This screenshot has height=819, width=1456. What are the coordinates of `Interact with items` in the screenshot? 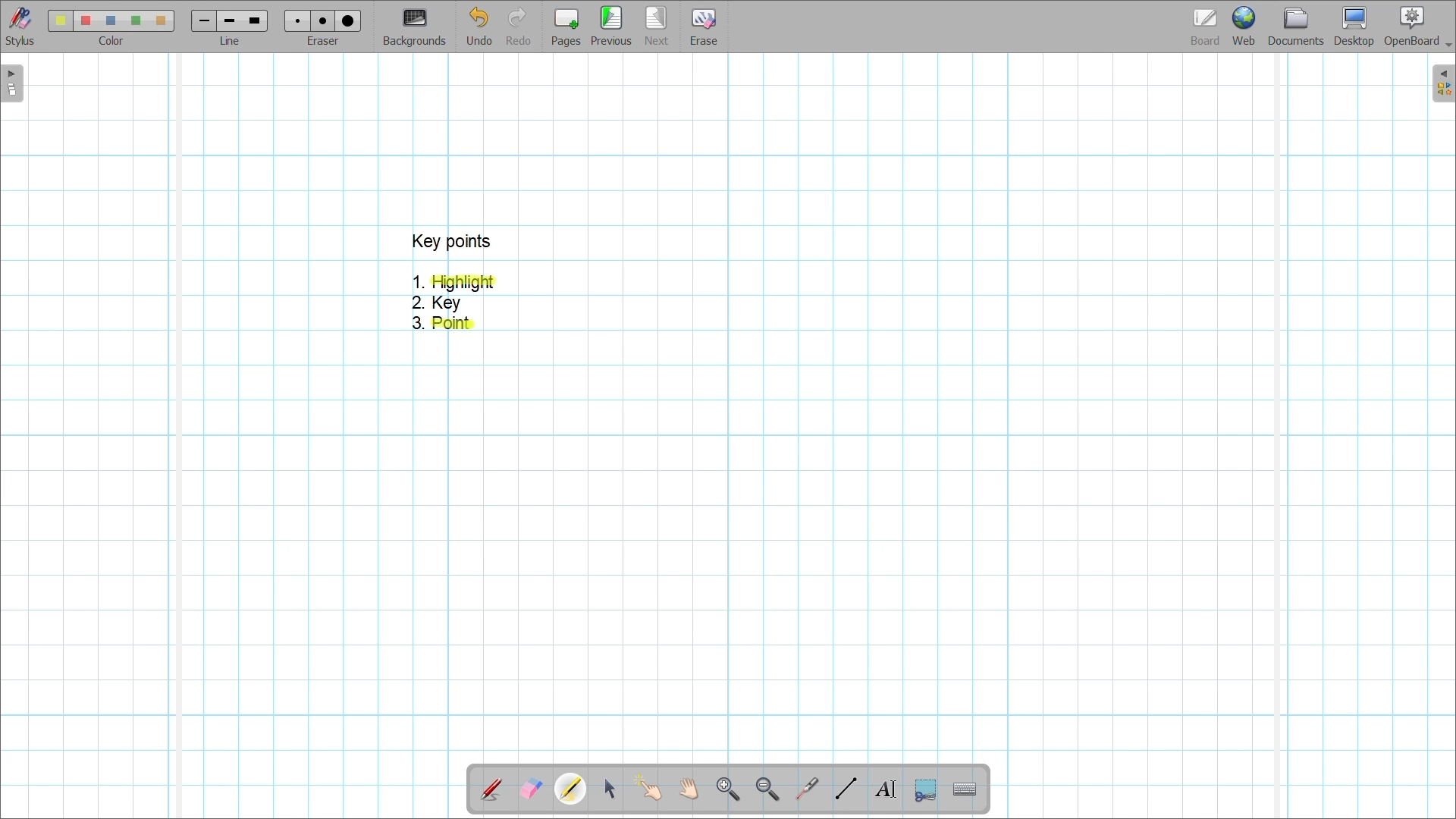 It's located at (648, 788).